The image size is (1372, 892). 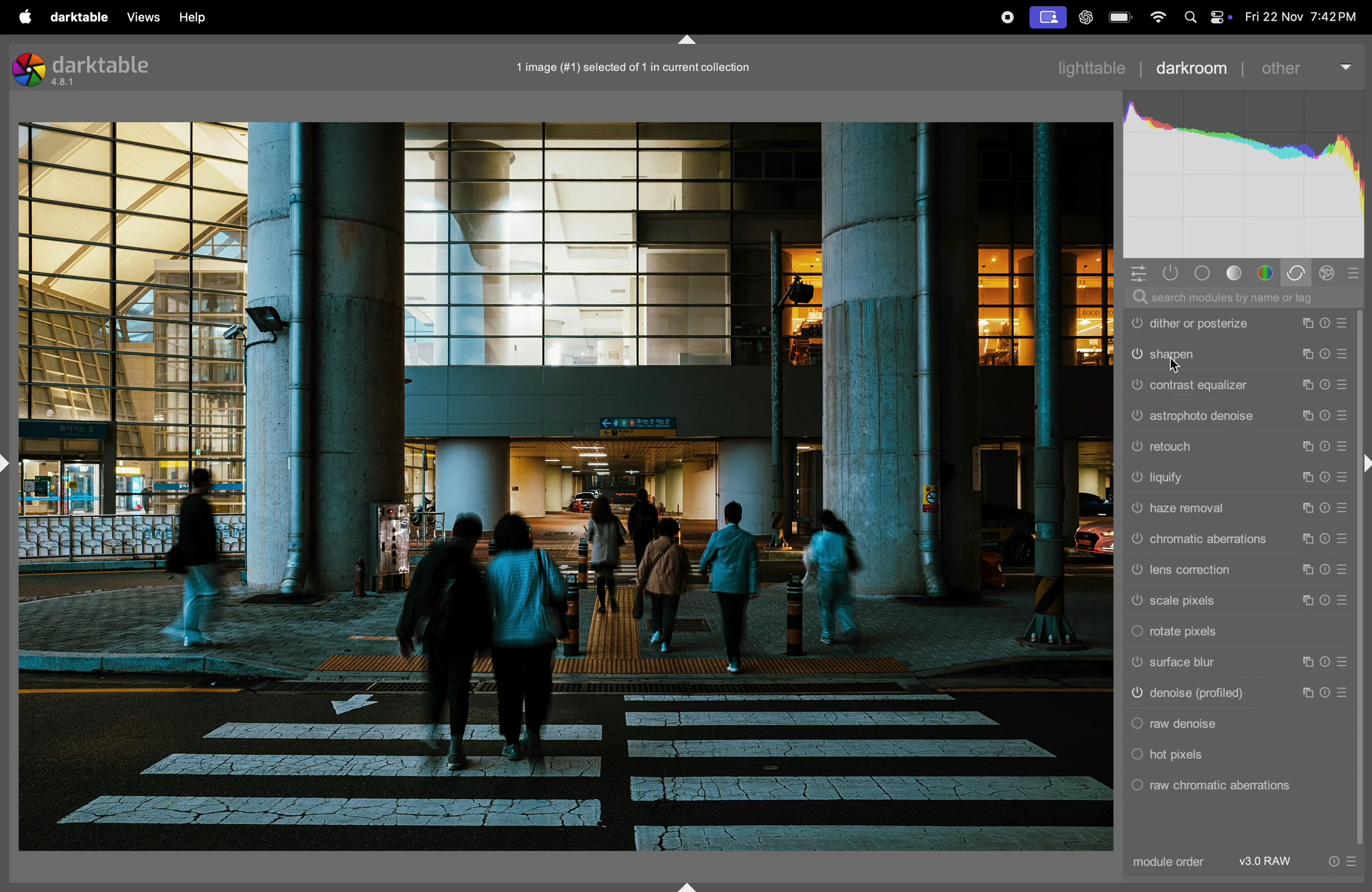 What do you see at coordinates (9, 463) in the screenshot?
I see `shift+ctrl+l` at bounding box center [9, 463].